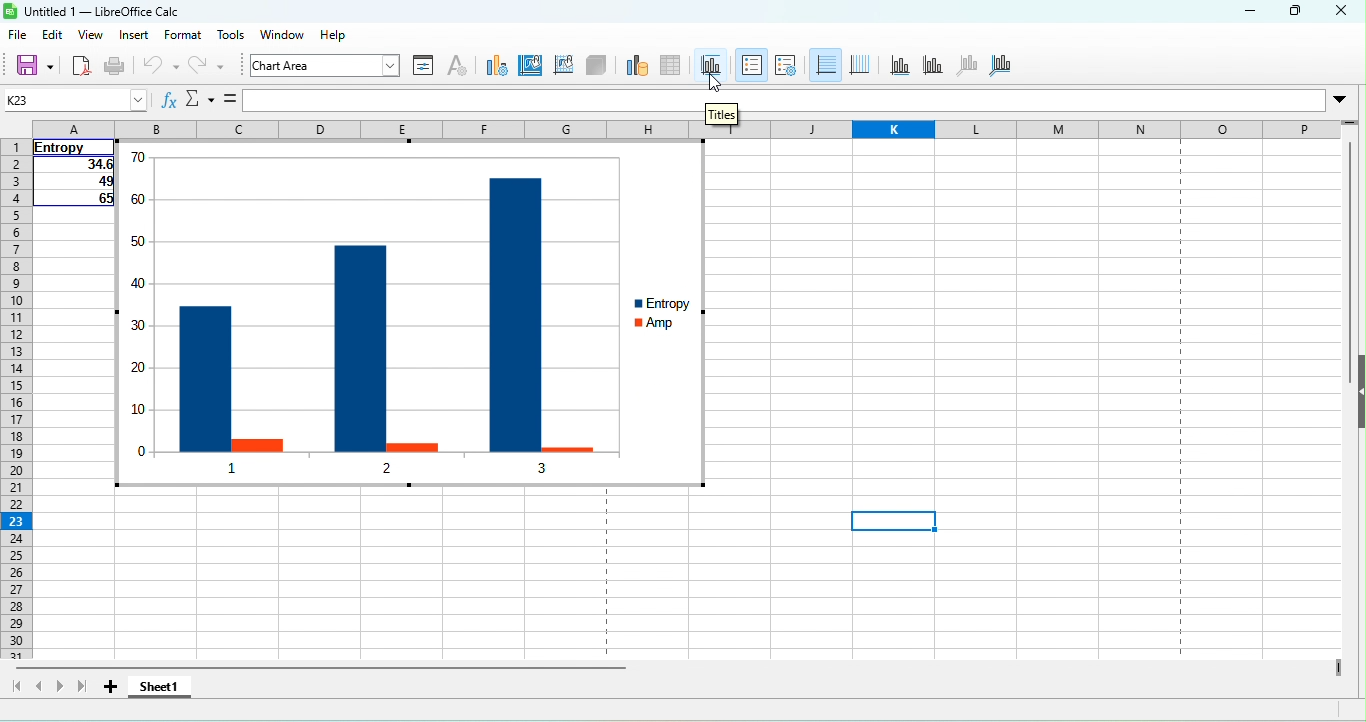 Image resolution: width=1366 pixels, height=722 pixels. What do you see at coordinates (91, 36) in the screenshot?
I see `view` at bounding box center [91, 36].